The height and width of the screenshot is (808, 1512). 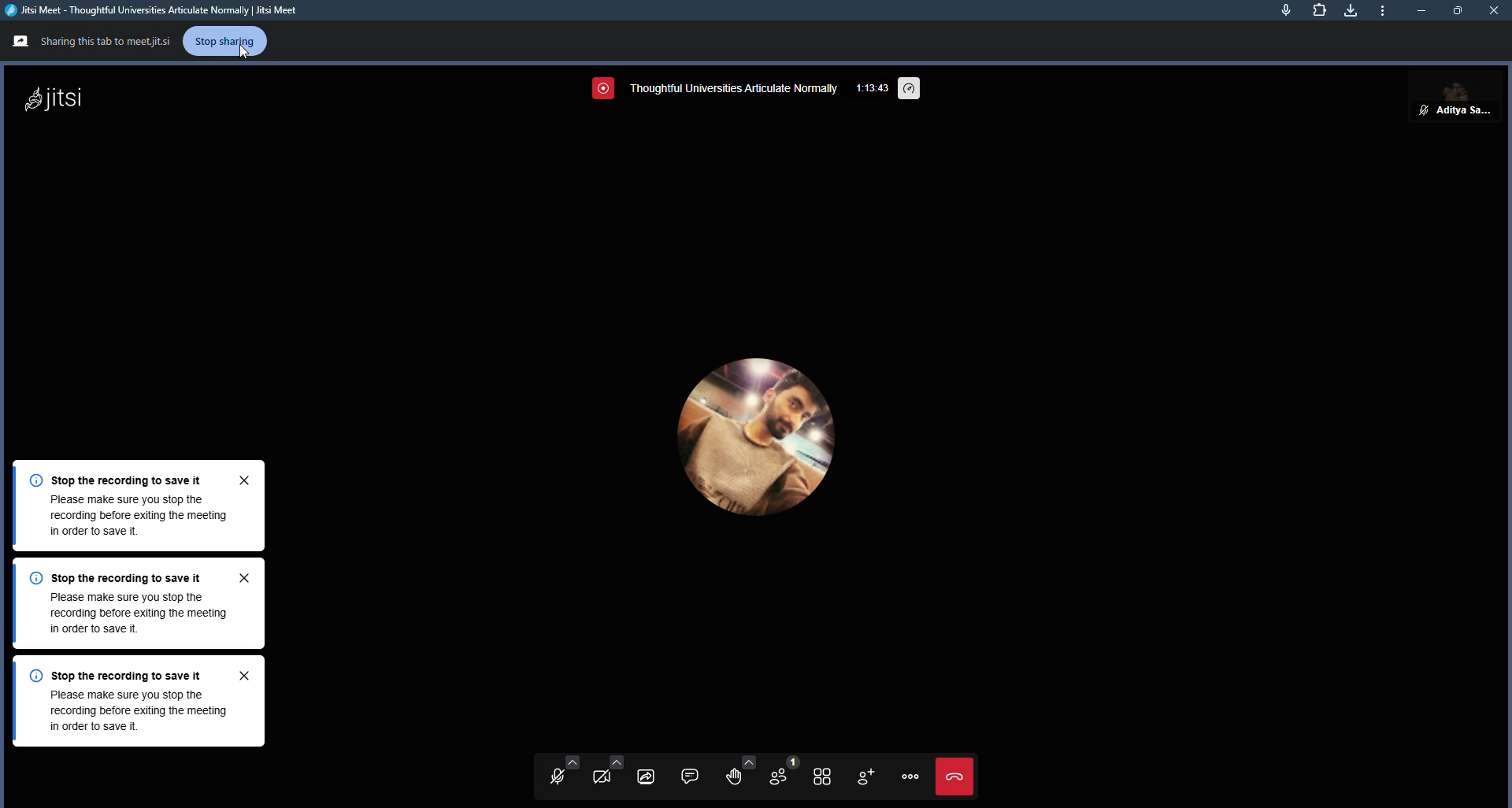 What do you see at coordinates (129, 520) in the screenshot?
I see `Please make sure you stop the
recording before exiting the meeting
in order to save it` at bounding box center [129, 520].